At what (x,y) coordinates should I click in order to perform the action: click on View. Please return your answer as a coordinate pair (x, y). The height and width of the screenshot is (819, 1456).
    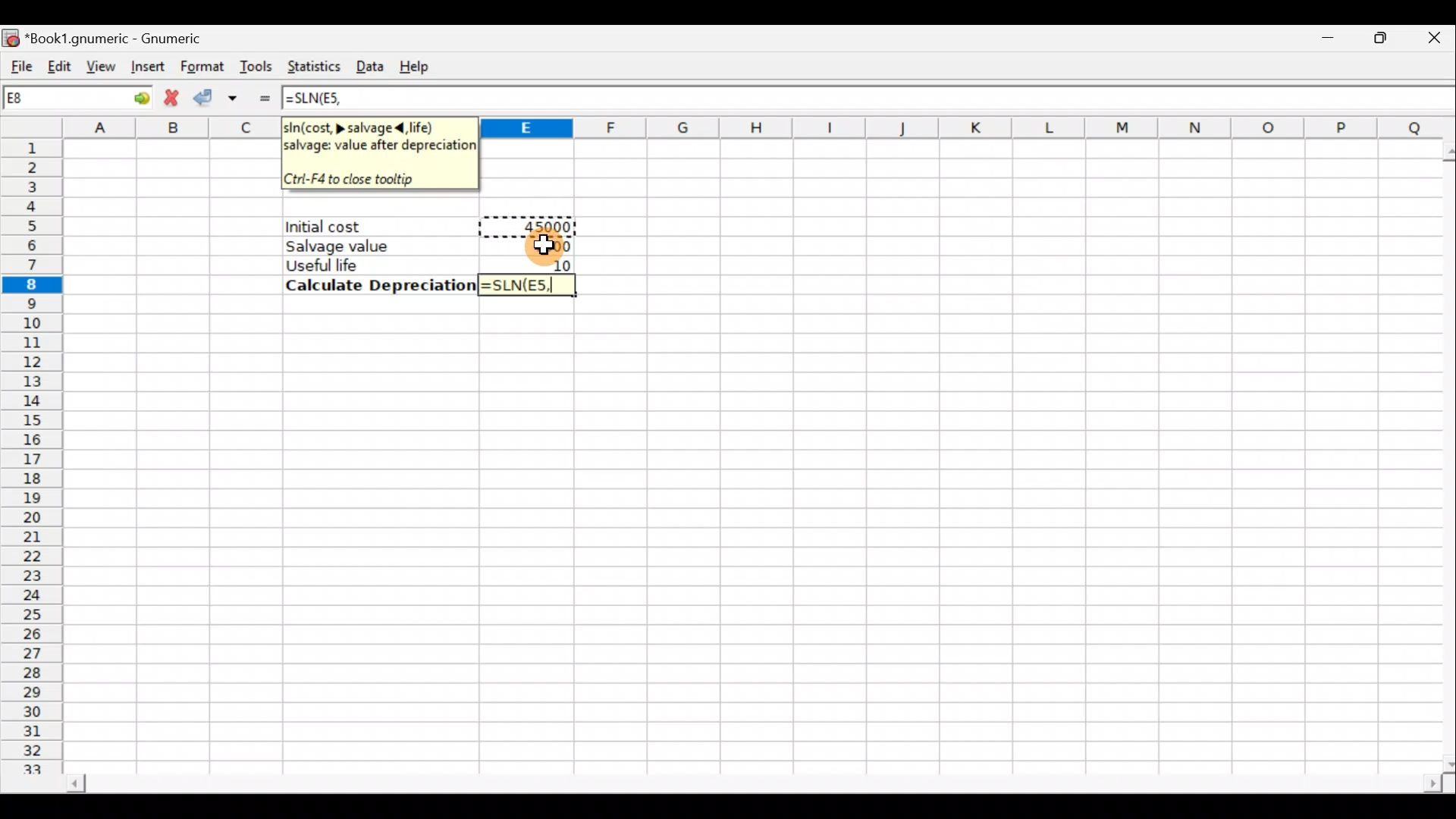
    Looking at the image, I should click on (100, 64).